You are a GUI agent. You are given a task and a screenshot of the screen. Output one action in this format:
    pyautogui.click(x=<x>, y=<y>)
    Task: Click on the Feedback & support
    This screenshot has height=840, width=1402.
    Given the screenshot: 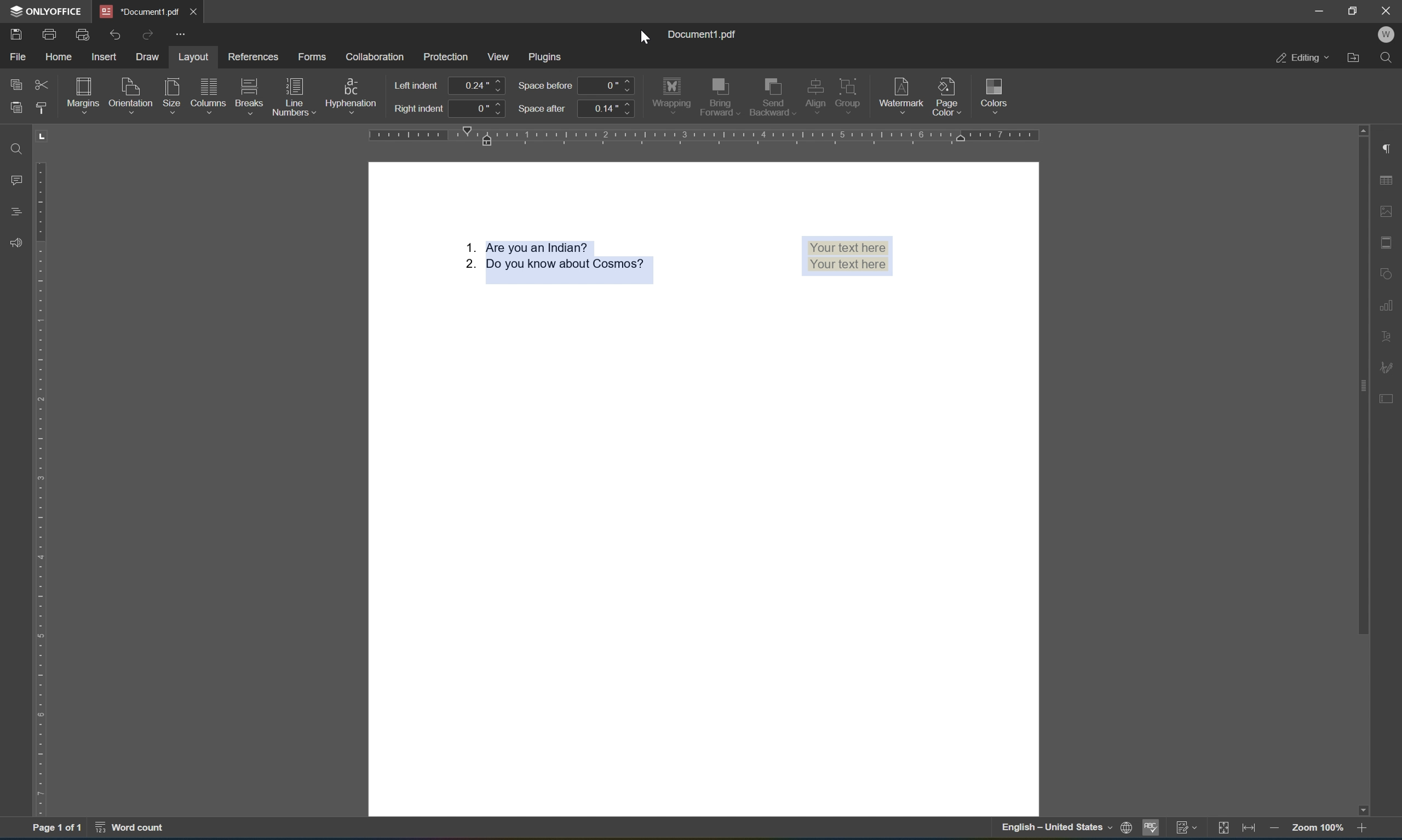 What is the action you would take?
    pyautogui.click(x=16, y=242)
    